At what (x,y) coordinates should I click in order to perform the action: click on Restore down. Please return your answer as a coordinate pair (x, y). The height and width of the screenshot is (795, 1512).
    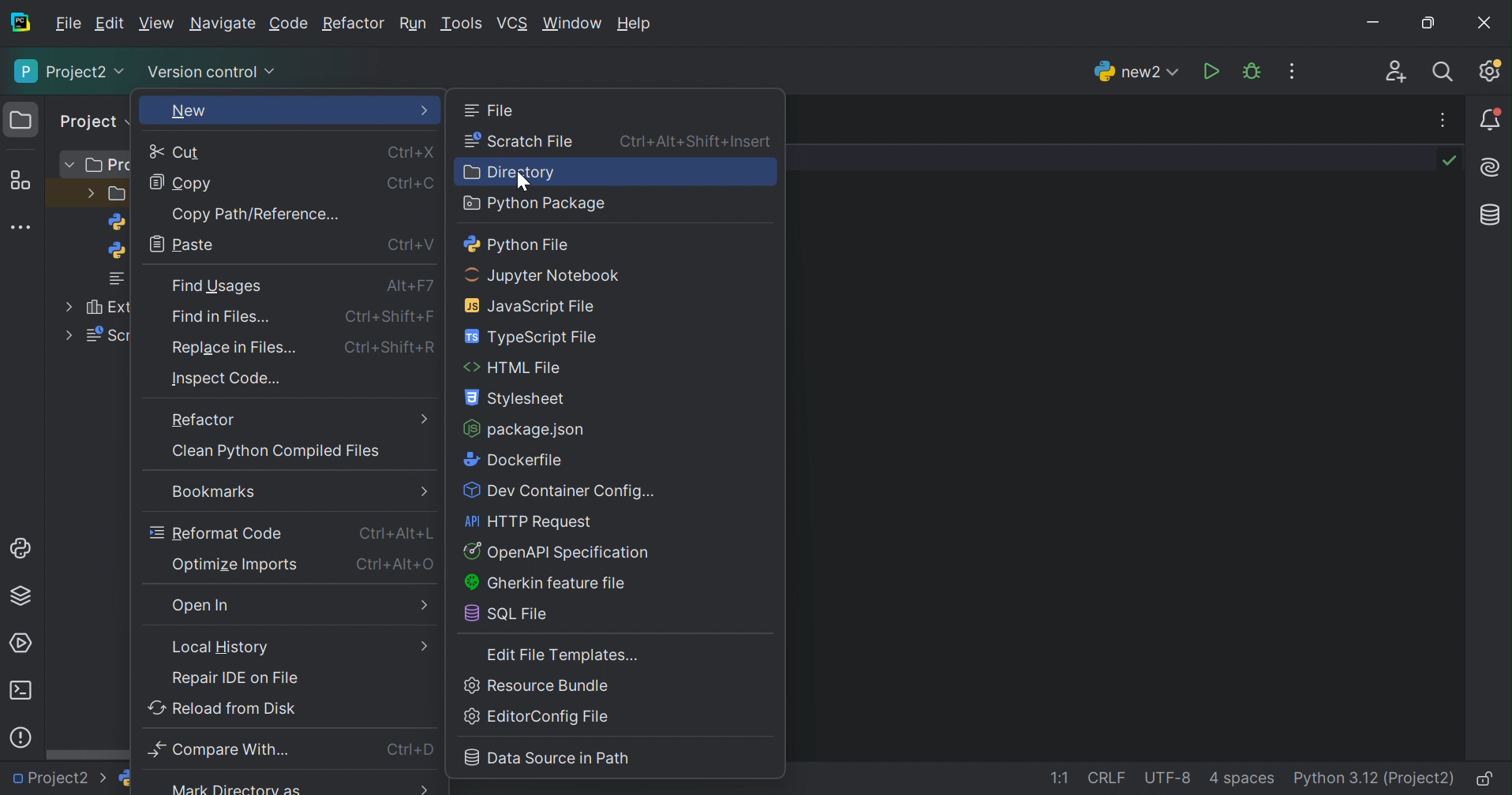
    Looking at the image, I should click on (1429, 21).